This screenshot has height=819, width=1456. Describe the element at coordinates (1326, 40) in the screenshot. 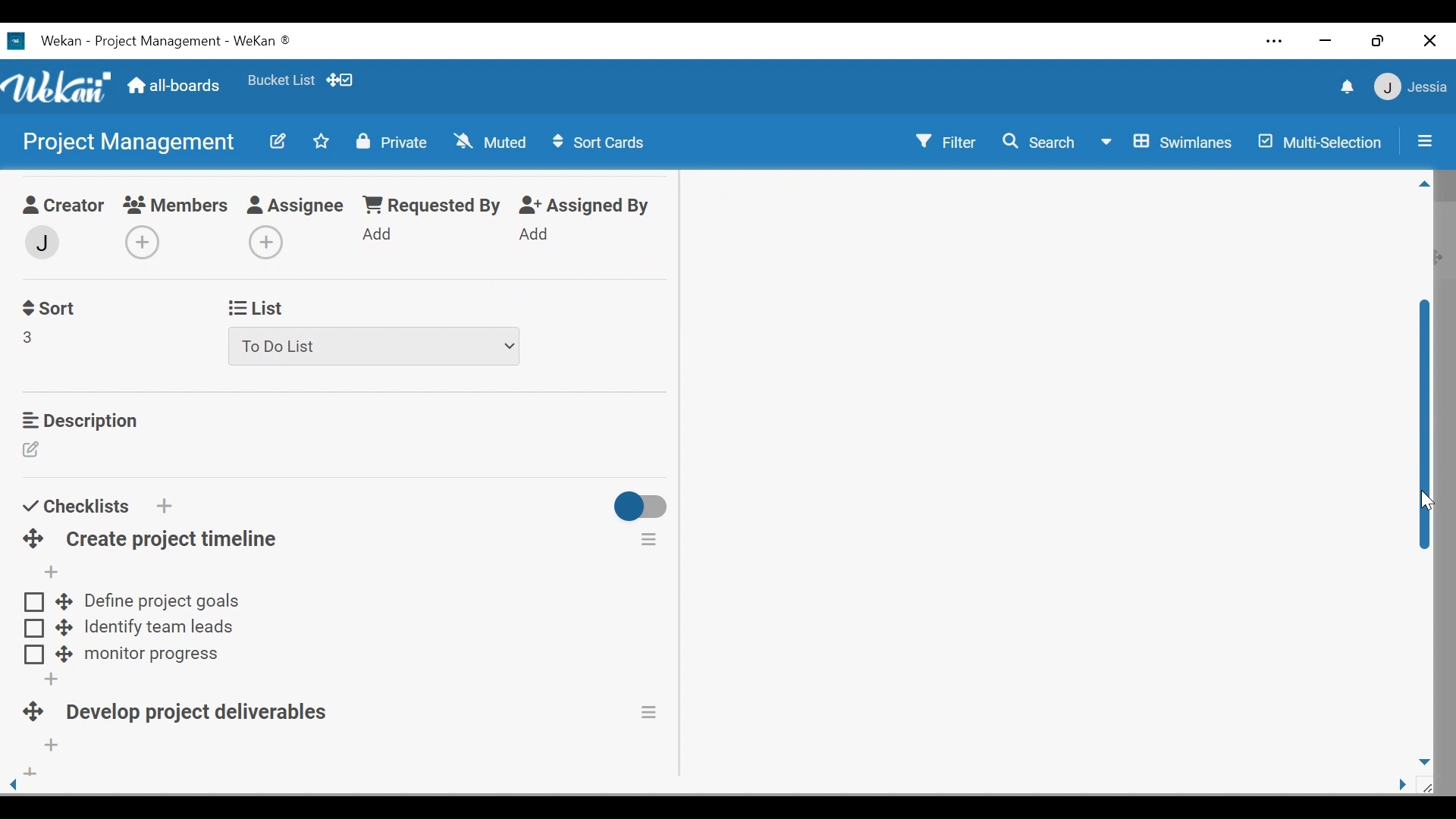

I see `minimize` at that location.